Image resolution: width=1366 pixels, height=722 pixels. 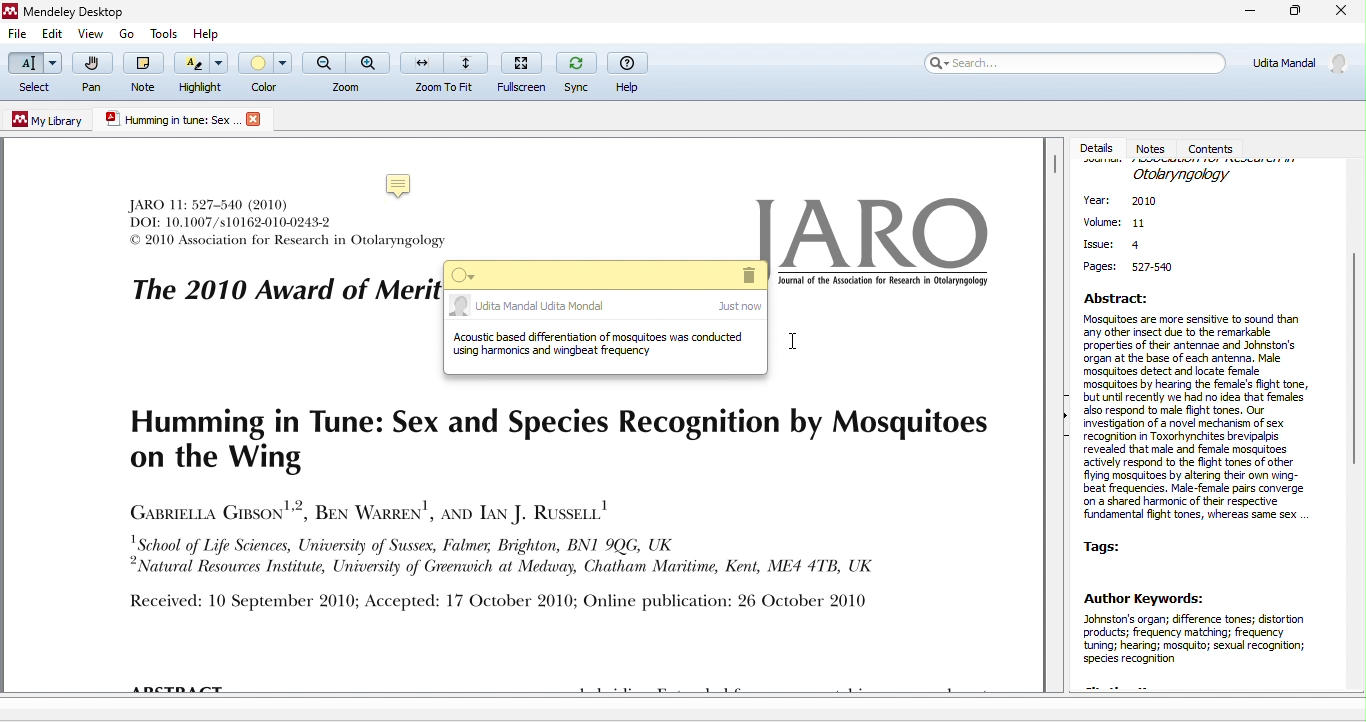 What do you see at coordinates (1293, 14) in the screenshot?
I see `maximize` at bounding box center [1293, 14].